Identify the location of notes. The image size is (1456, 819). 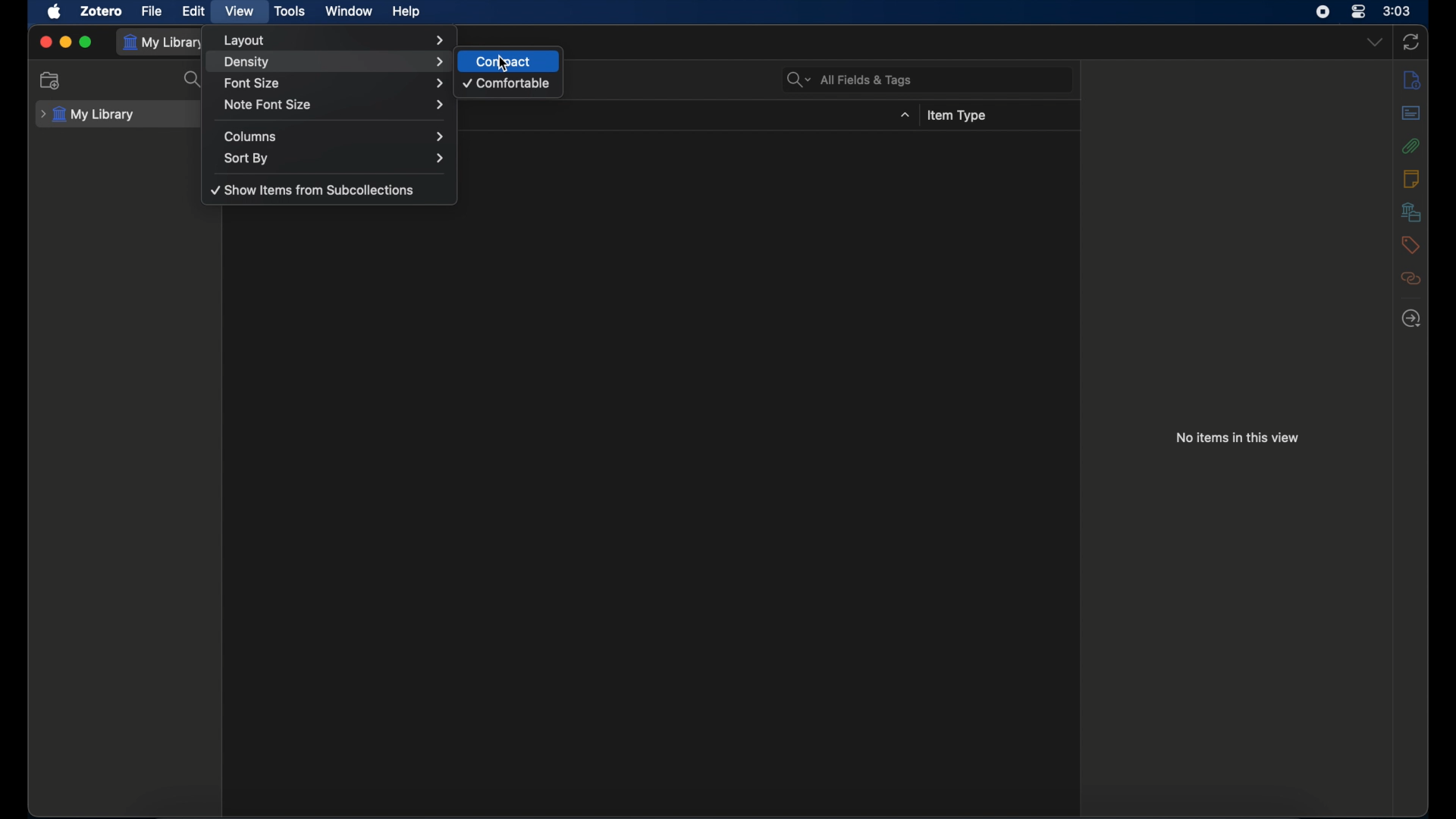
(1412, 178).